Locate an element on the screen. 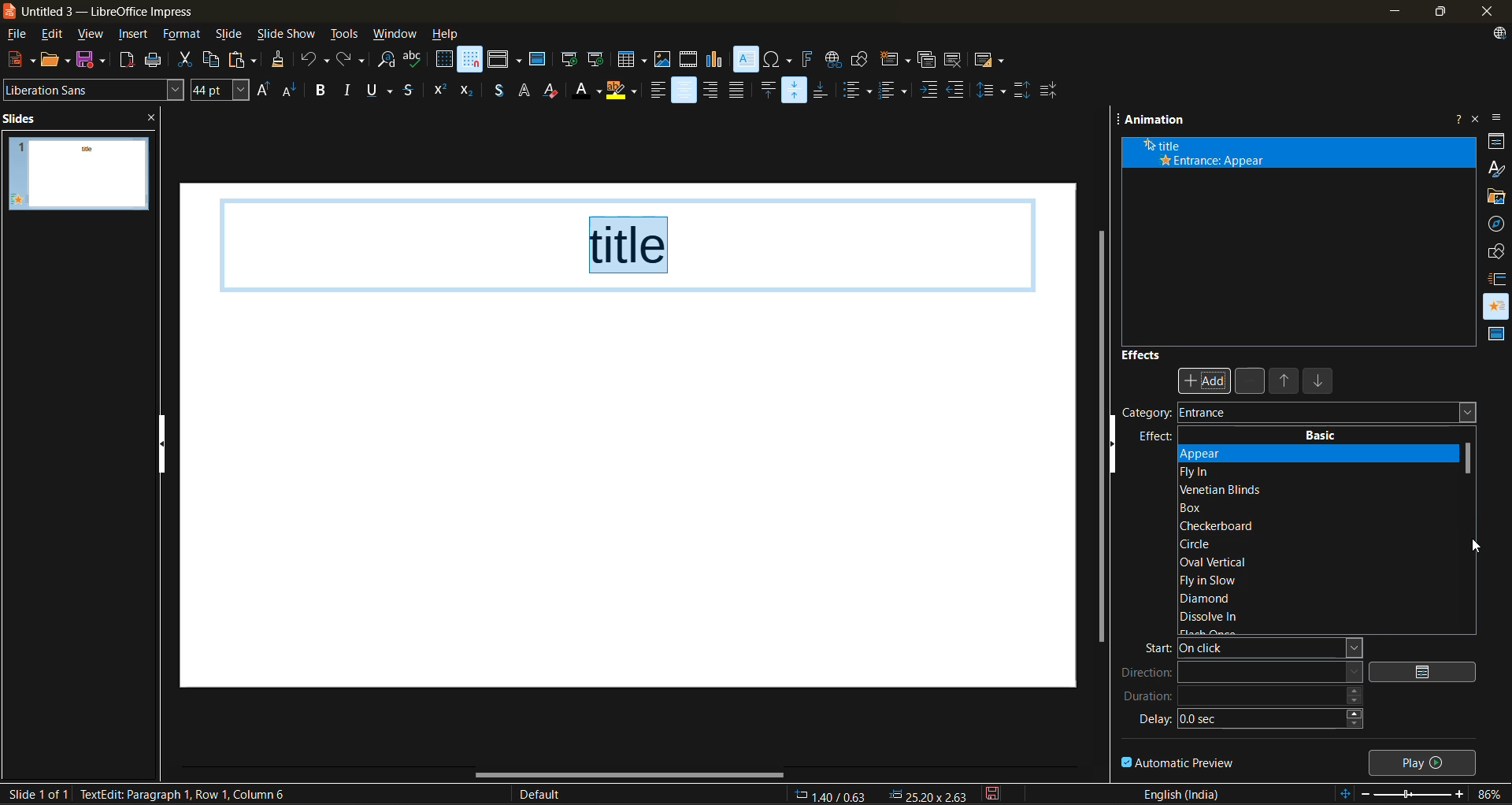 The width and height of the screenshot is (1512, 805). vertical scroll bar is located at coordinates (1472, 462).